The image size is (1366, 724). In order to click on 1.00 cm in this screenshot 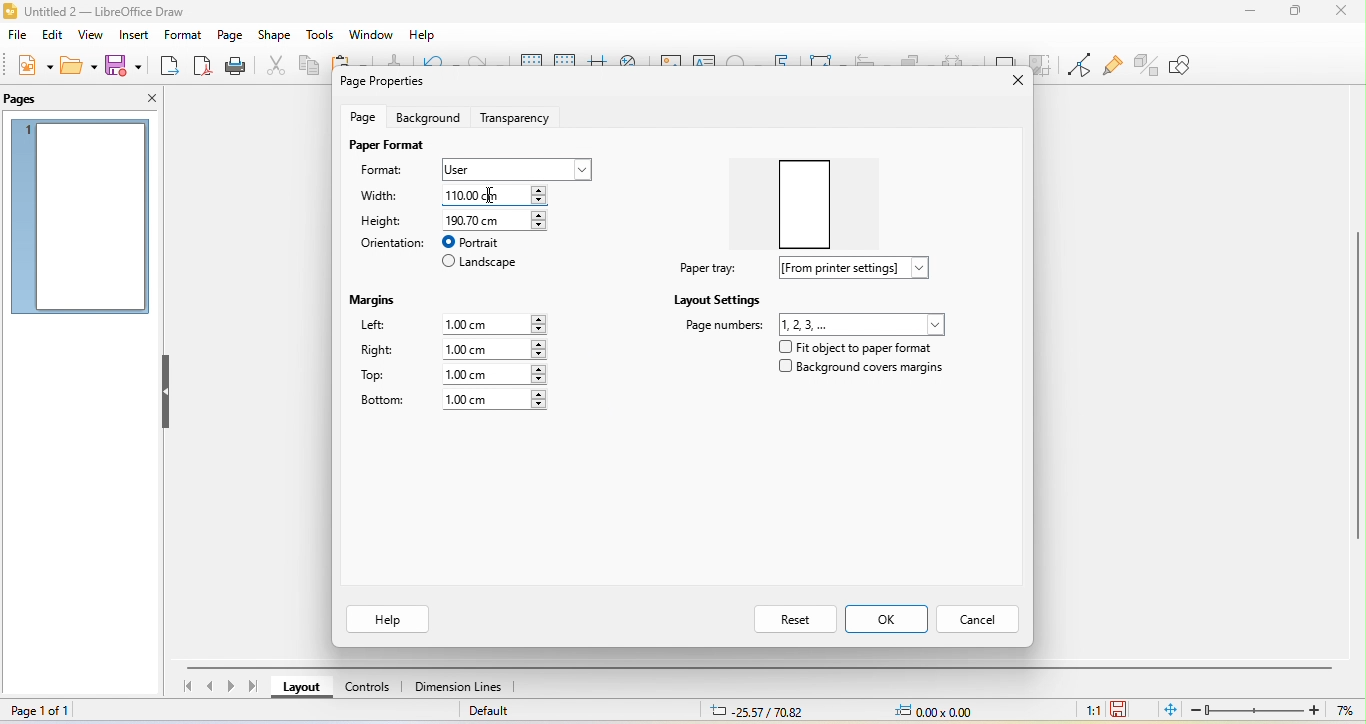, I will do `click(494, 374)`.